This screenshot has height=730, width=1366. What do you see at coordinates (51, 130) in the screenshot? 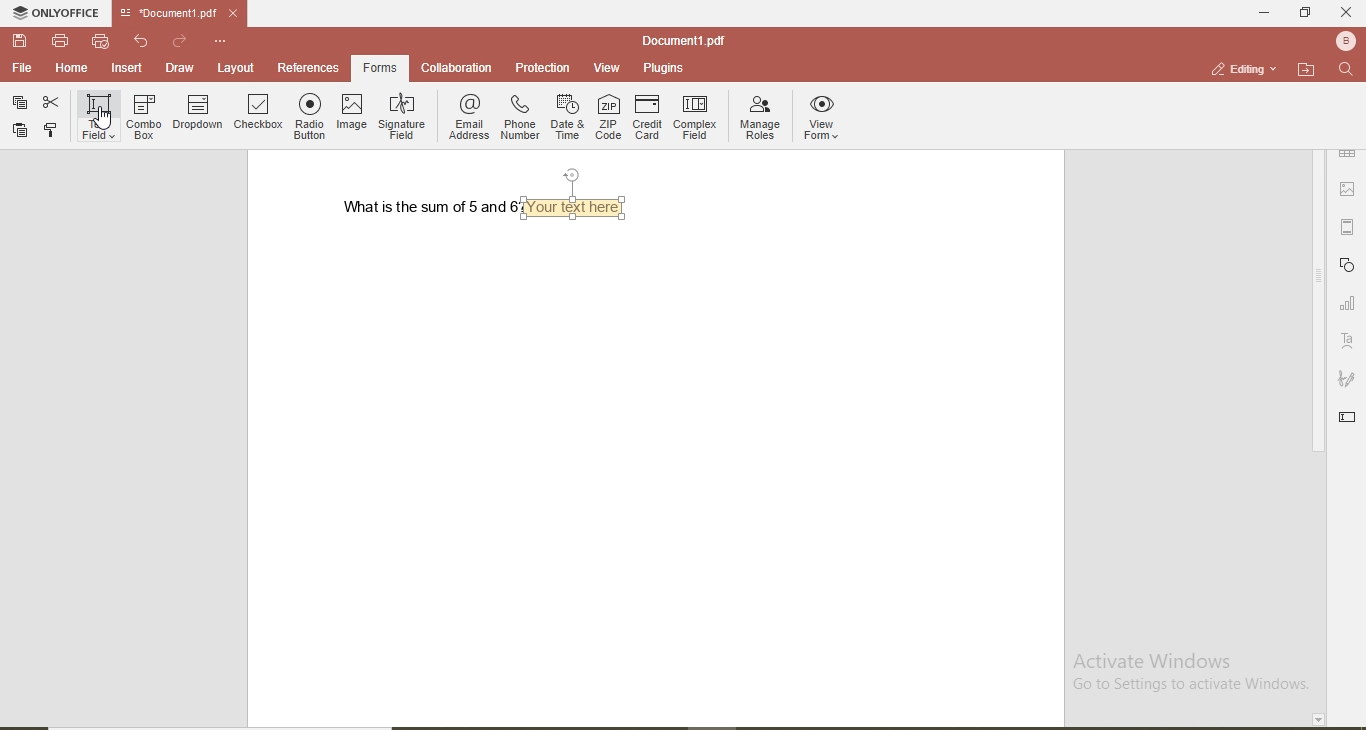
I see `copy` at bounding box center [51, 130].